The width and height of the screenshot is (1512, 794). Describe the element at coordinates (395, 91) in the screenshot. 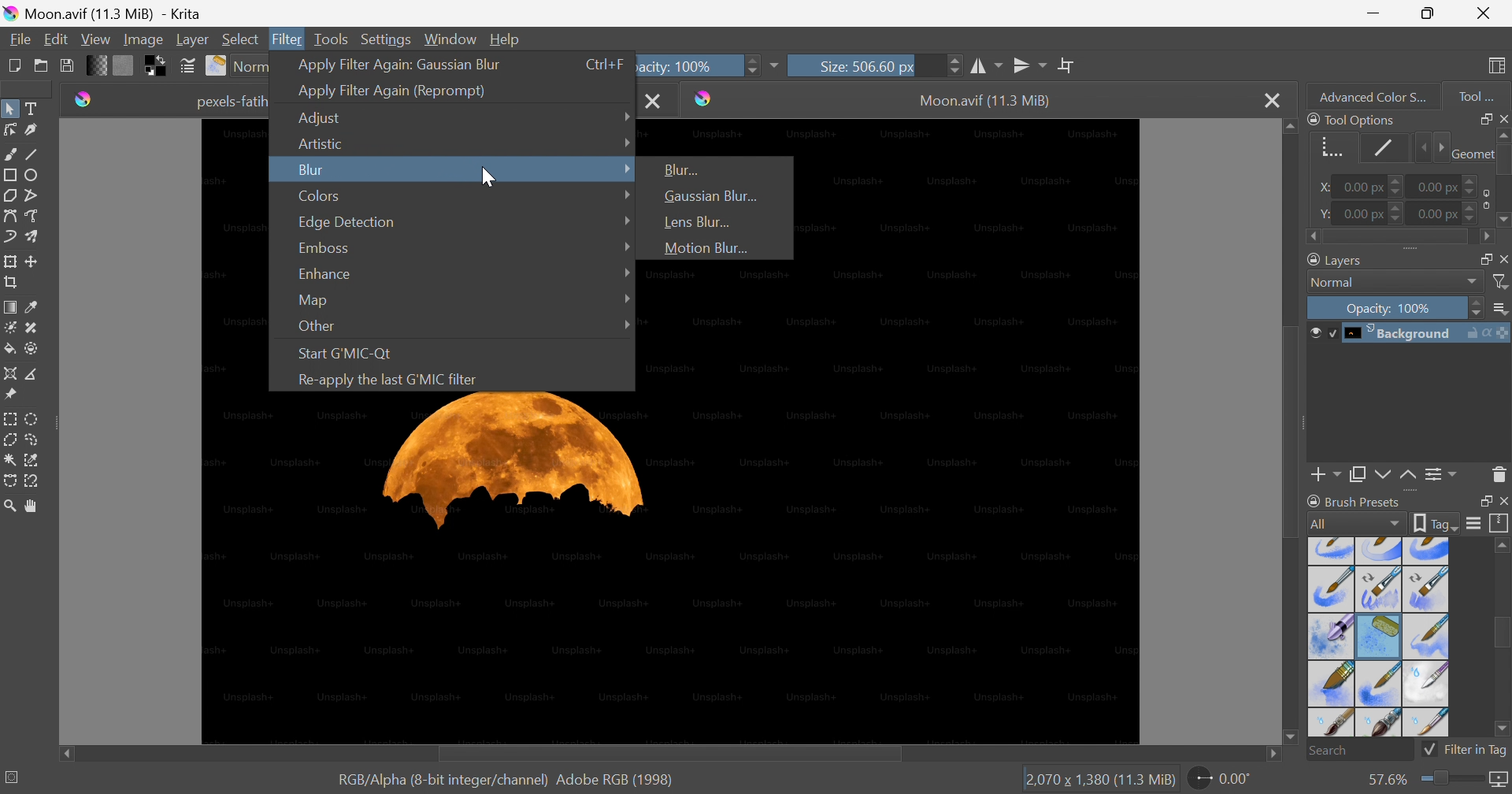

I see `Apply filter again (Reprompt)` at that location.